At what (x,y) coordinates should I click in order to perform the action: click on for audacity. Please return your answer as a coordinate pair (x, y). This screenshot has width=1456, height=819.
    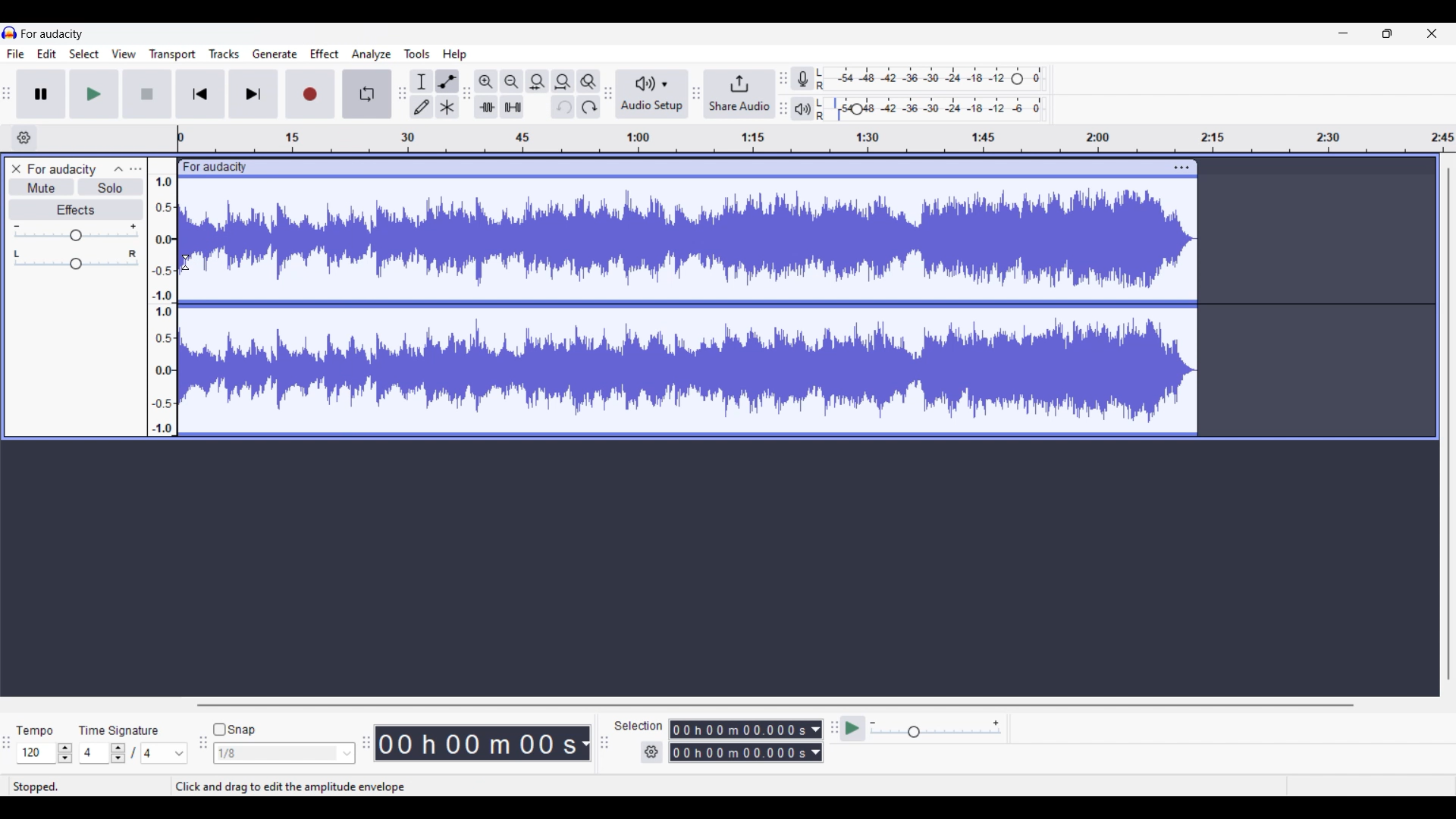
    Looking at the image, I should click on (53, 34).